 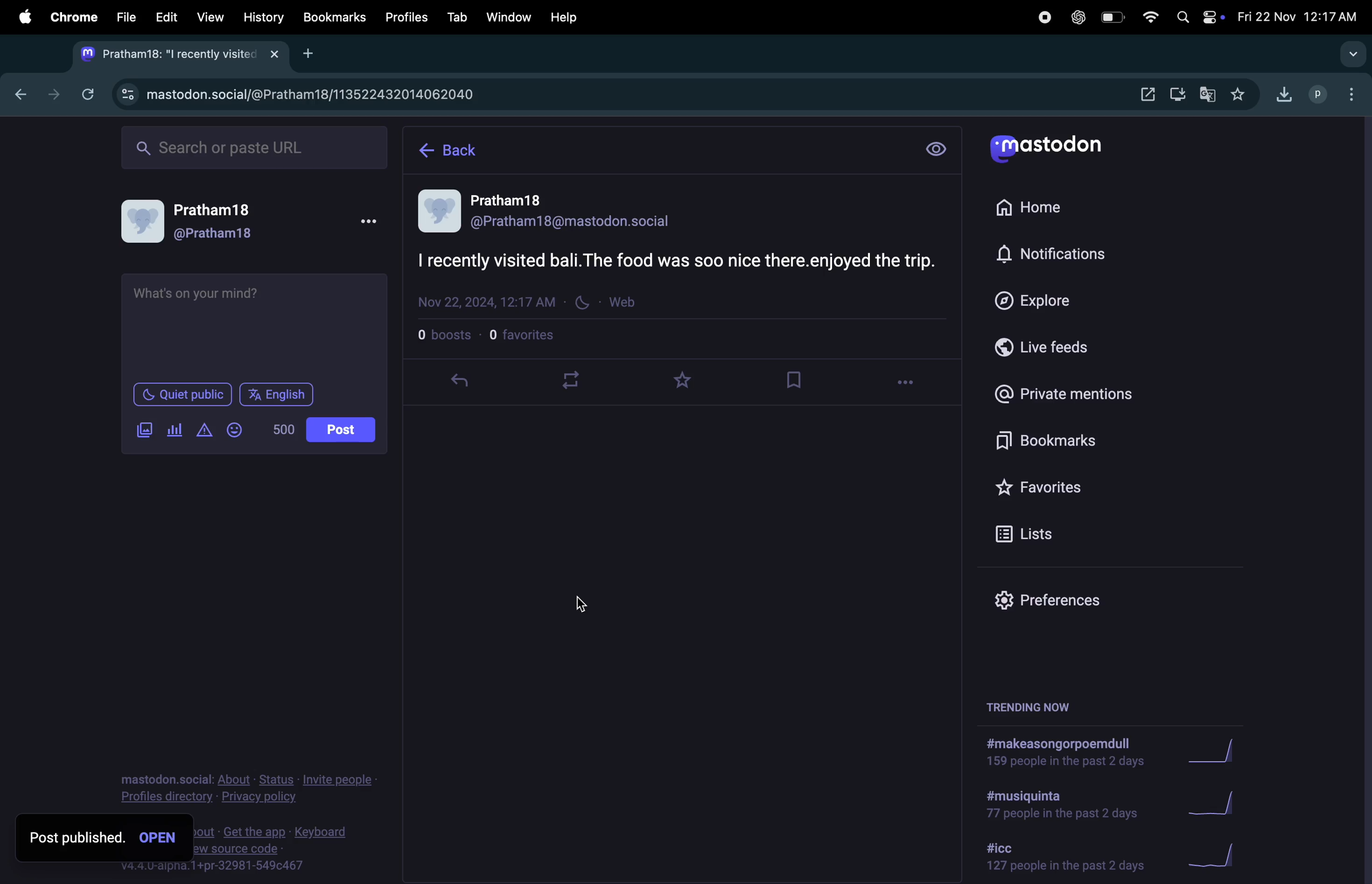 What do you see at coordinates (531, 336) in the screenshot?
I see `favourites` at bounding box center [531, 336].